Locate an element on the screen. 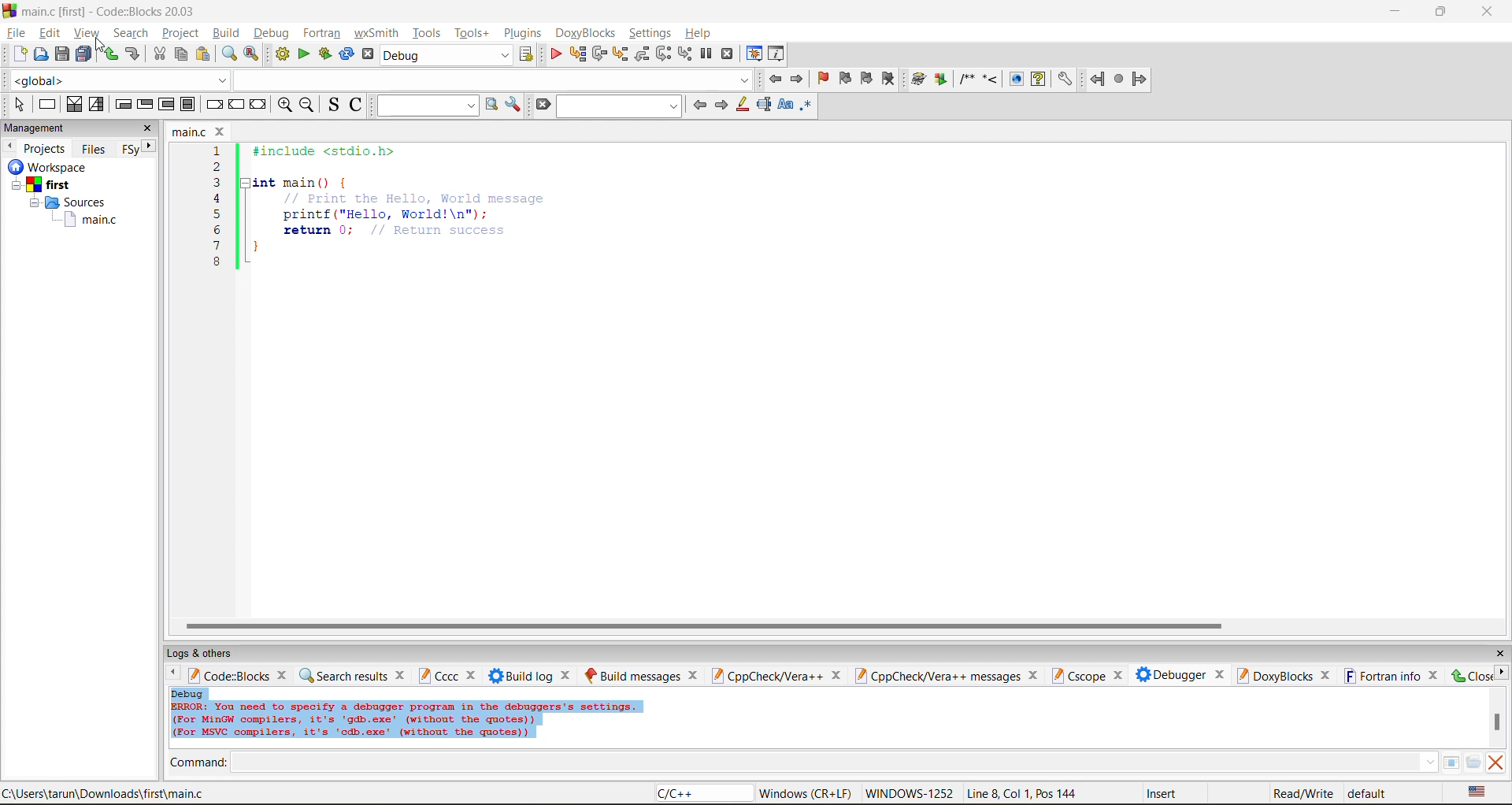 This screenshot has width=1512, height=805. instruction is located at coordinates (46, 103).